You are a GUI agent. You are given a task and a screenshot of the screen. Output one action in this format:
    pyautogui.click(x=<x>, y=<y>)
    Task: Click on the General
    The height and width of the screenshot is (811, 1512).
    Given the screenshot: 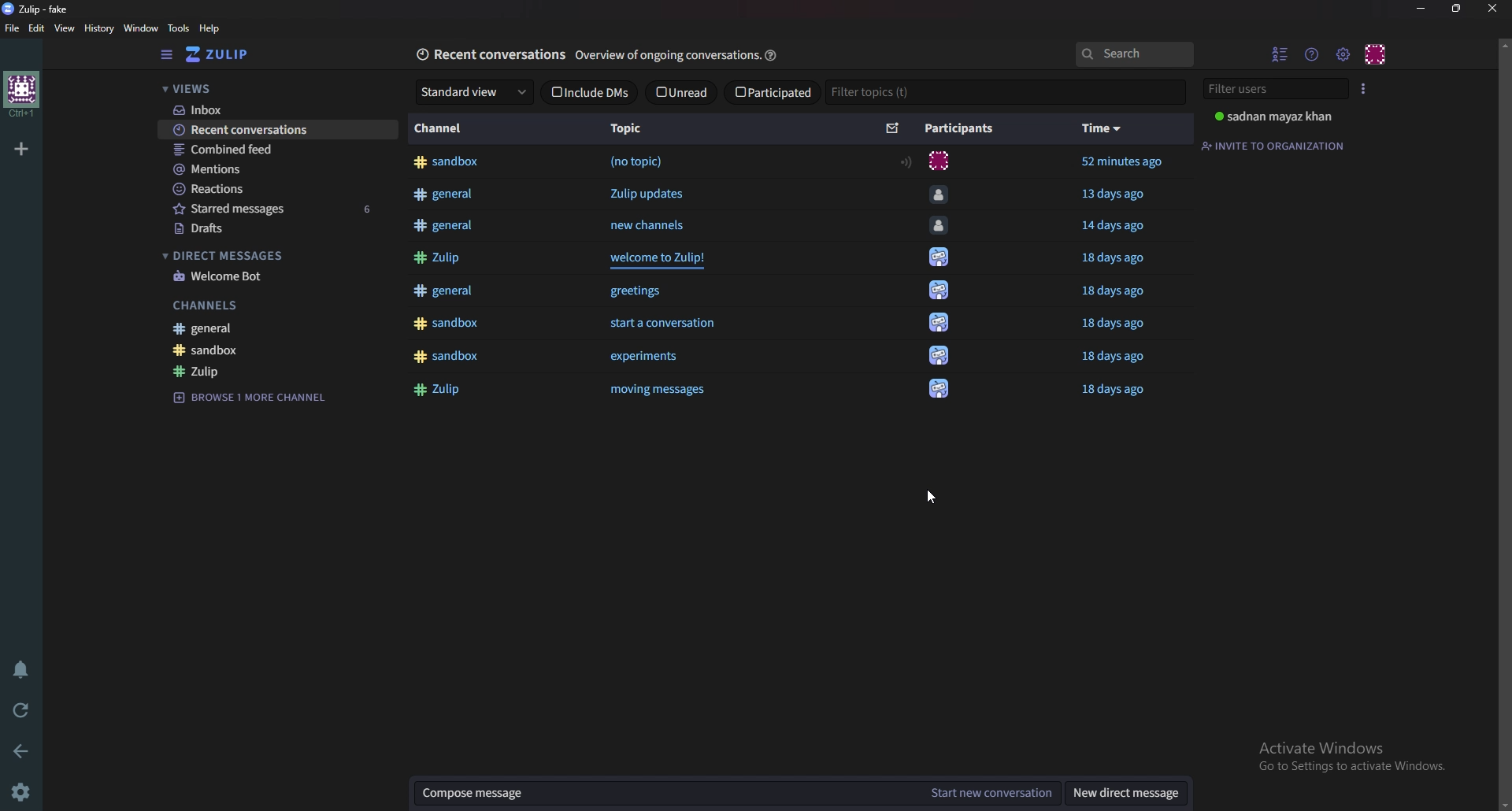 What is the action you would take?
    pyautogui.click(x=254, y=328)
    